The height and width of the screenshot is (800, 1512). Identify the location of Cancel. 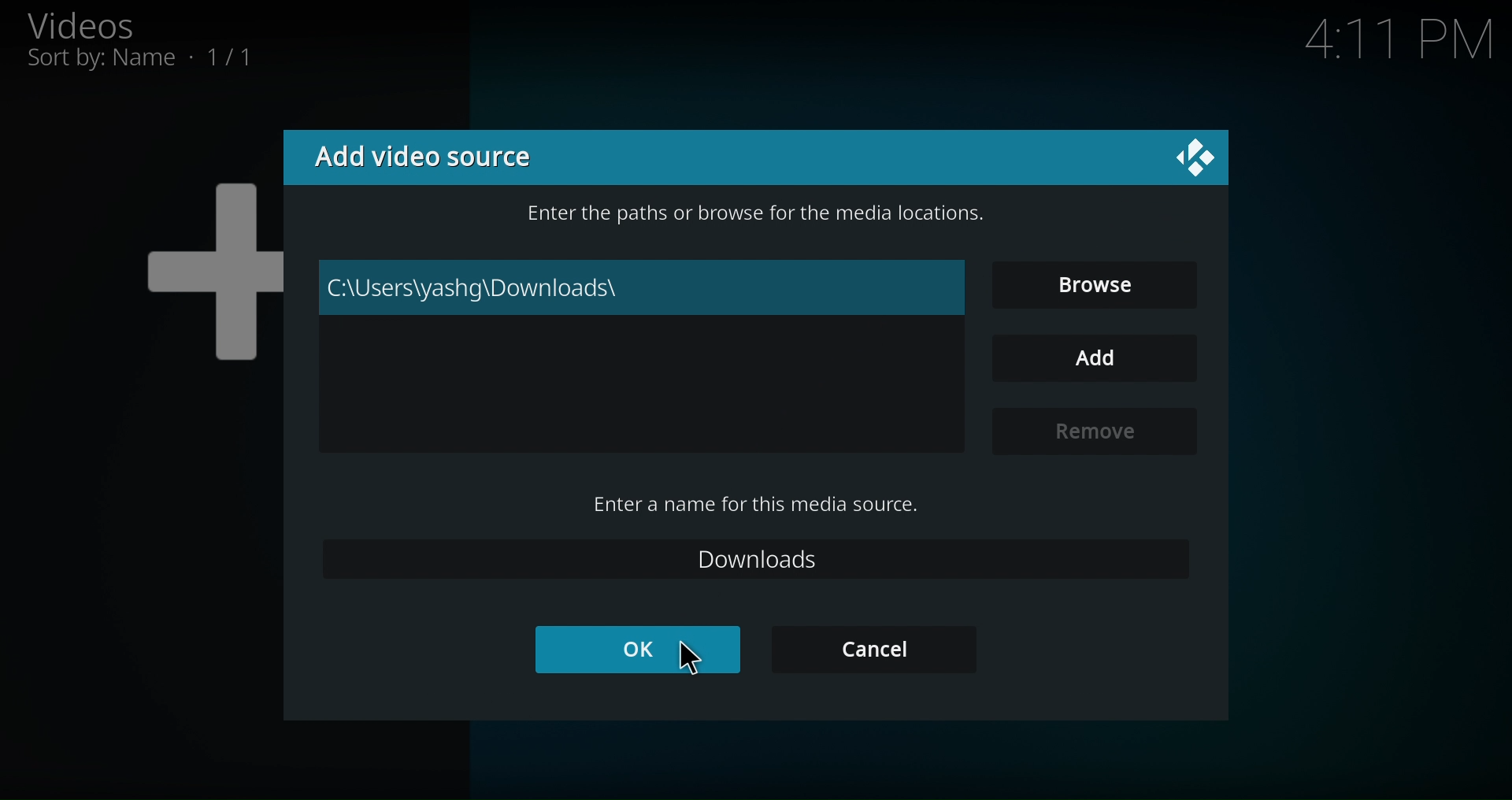
(873, 648).